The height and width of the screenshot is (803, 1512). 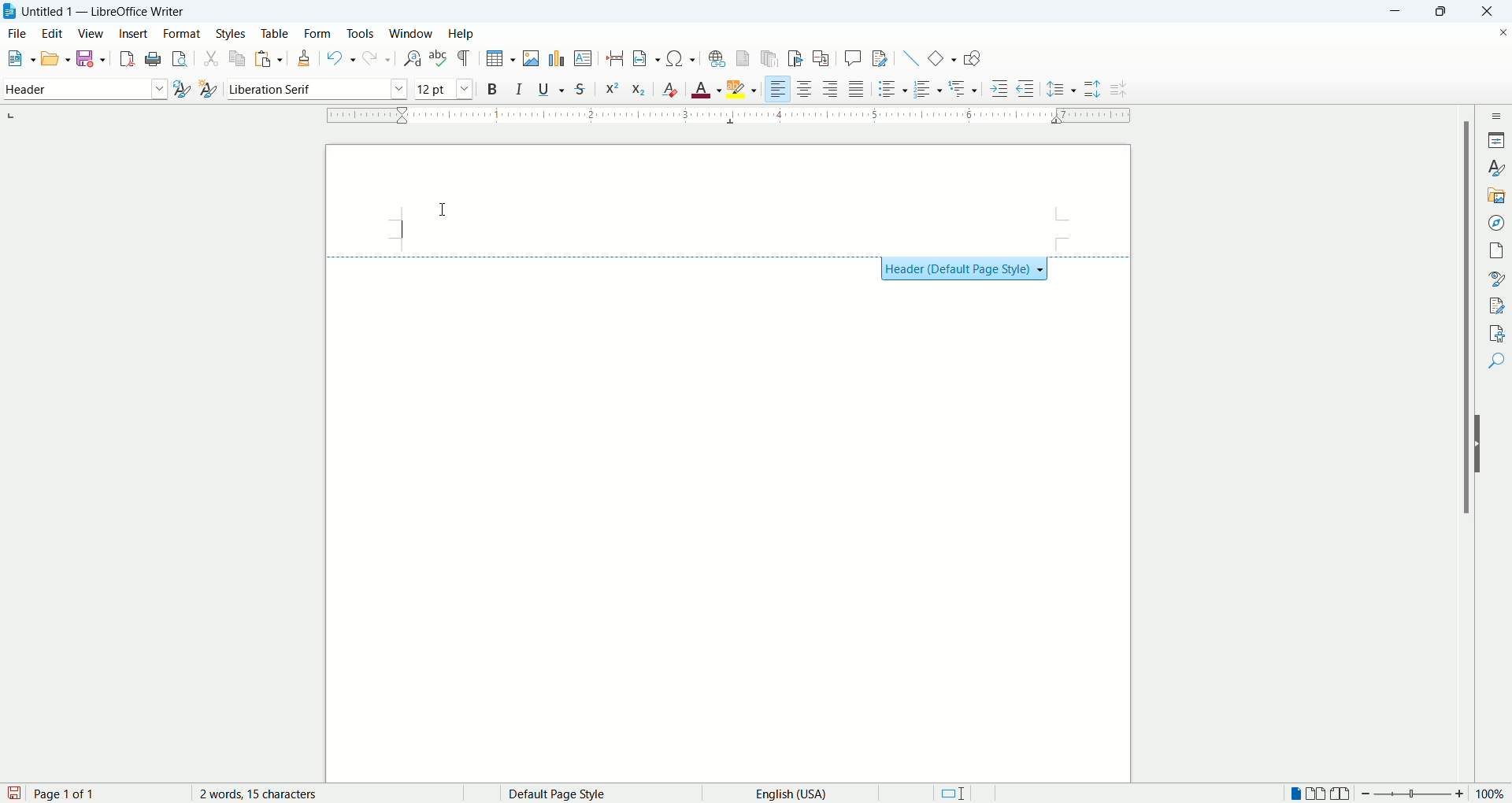 What do you see at coordinates (999, 89) in the screenshot?
I see `increase indent` at bounding box center [999, 89].